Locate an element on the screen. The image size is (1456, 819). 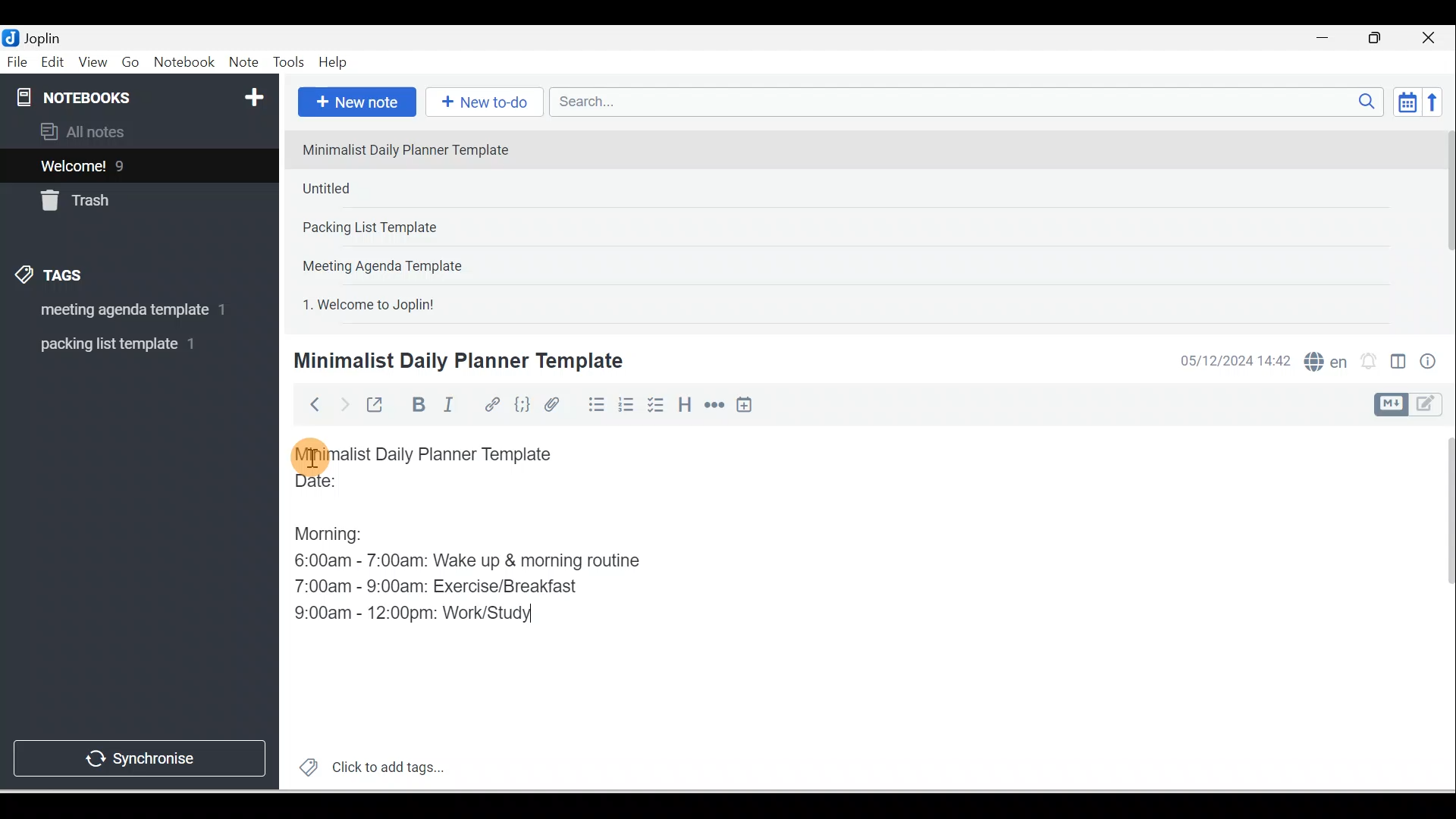
Toggle editor layout is located at coordinates (1414, 405).